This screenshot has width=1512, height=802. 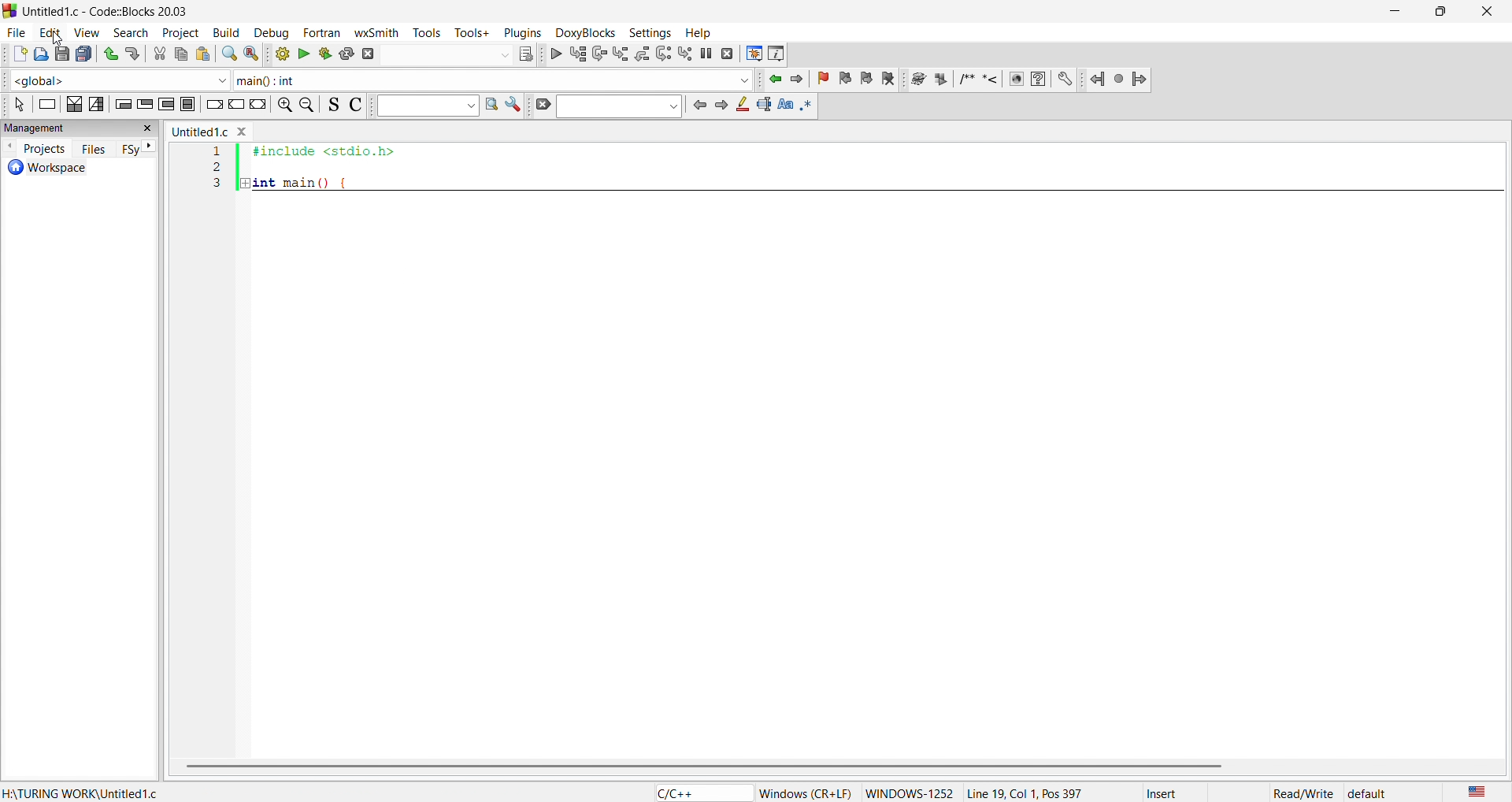 I want to click on exit condition loop, so click(x=144, y=102).